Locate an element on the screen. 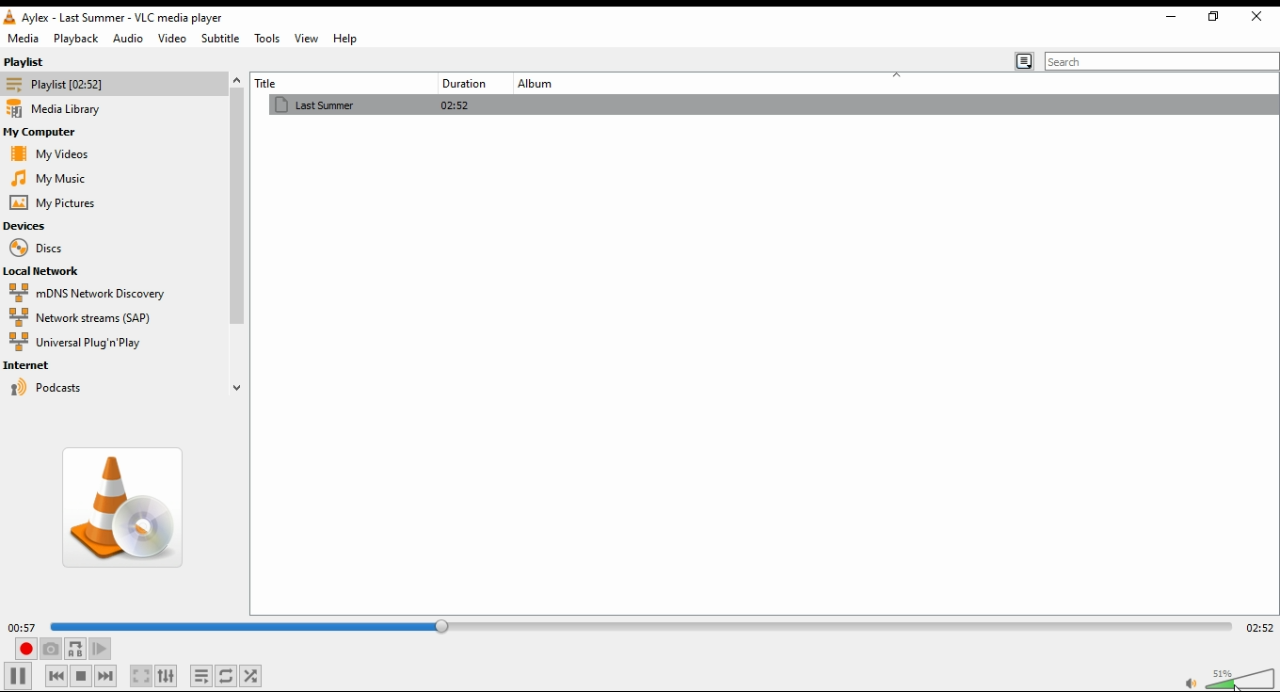  media is located at coordinates (23, 39).